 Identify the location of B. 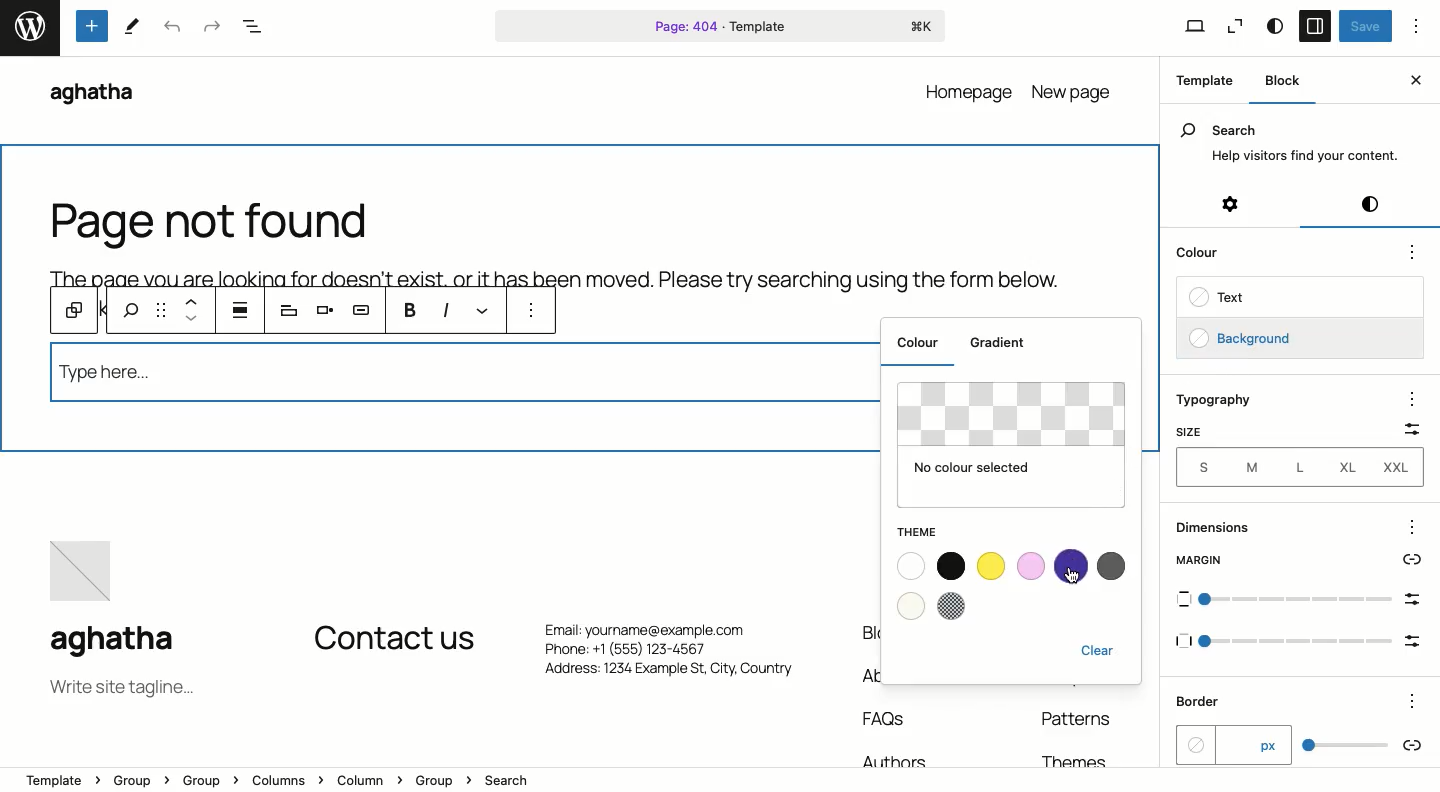
(410, 309).